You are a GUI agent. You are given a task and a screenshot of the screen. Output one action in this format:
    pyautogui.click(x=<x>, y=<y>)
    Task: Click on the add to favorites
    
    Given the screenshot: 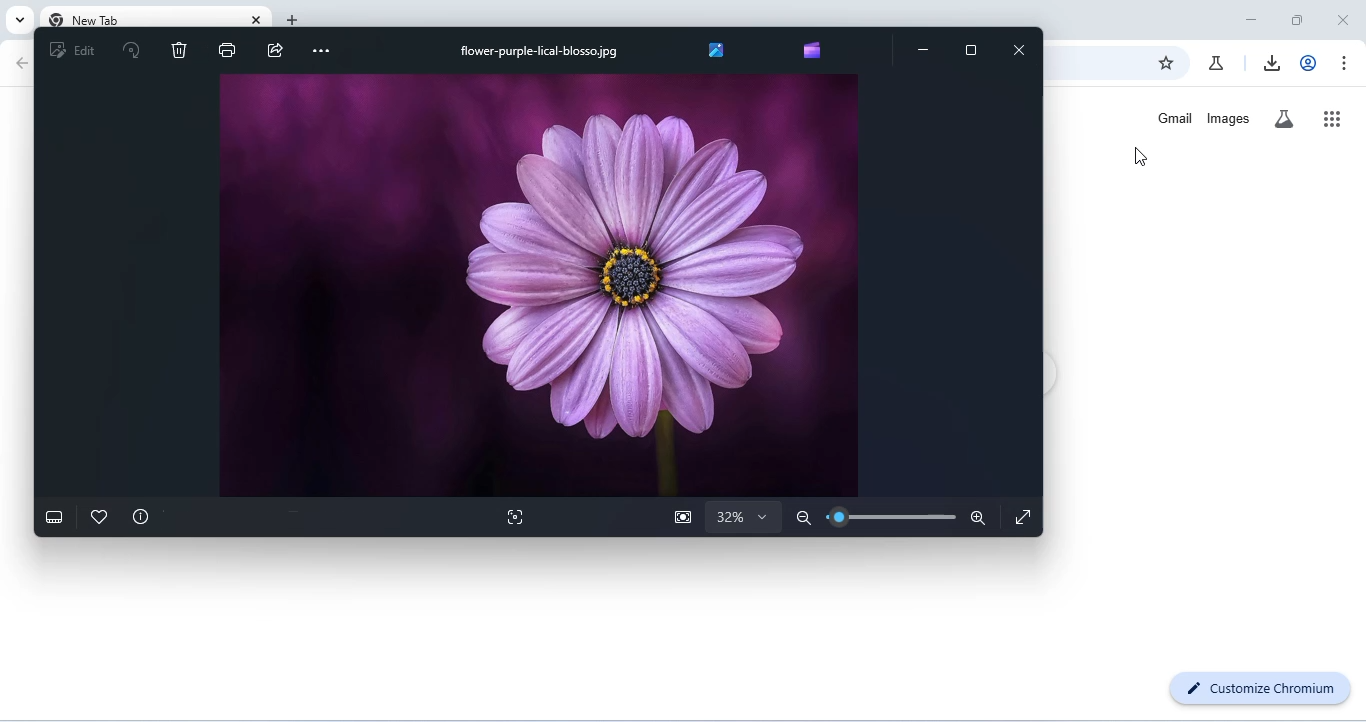 What is the action you would take?
    pyautogui.click(x=99, y=516)
    